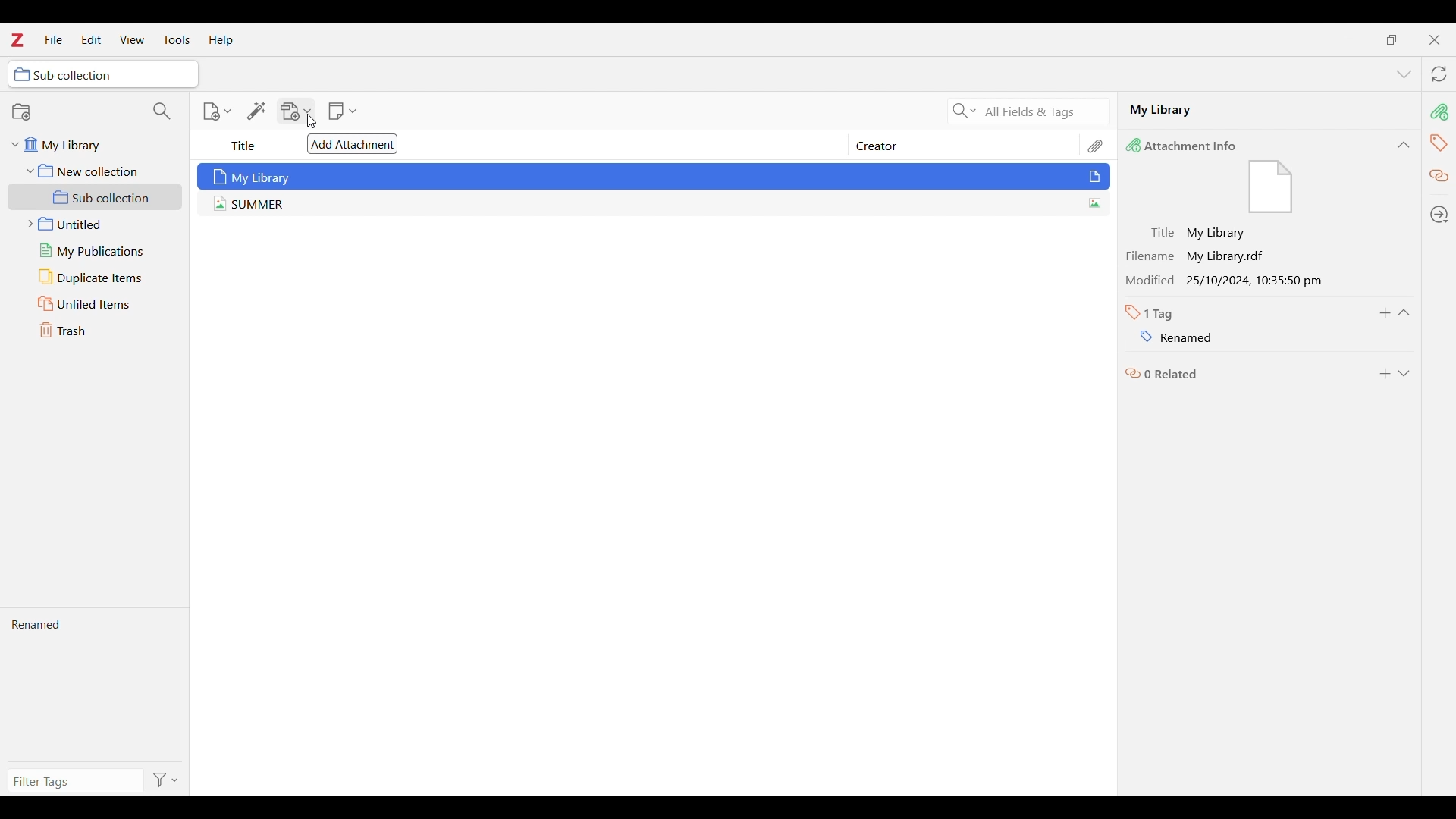 The width and height of the screenshot is (1456, 819). What do you see at coordinates (92, 39) in the screenshot?
I see `Edit menu` at bounding box center [92, 39].